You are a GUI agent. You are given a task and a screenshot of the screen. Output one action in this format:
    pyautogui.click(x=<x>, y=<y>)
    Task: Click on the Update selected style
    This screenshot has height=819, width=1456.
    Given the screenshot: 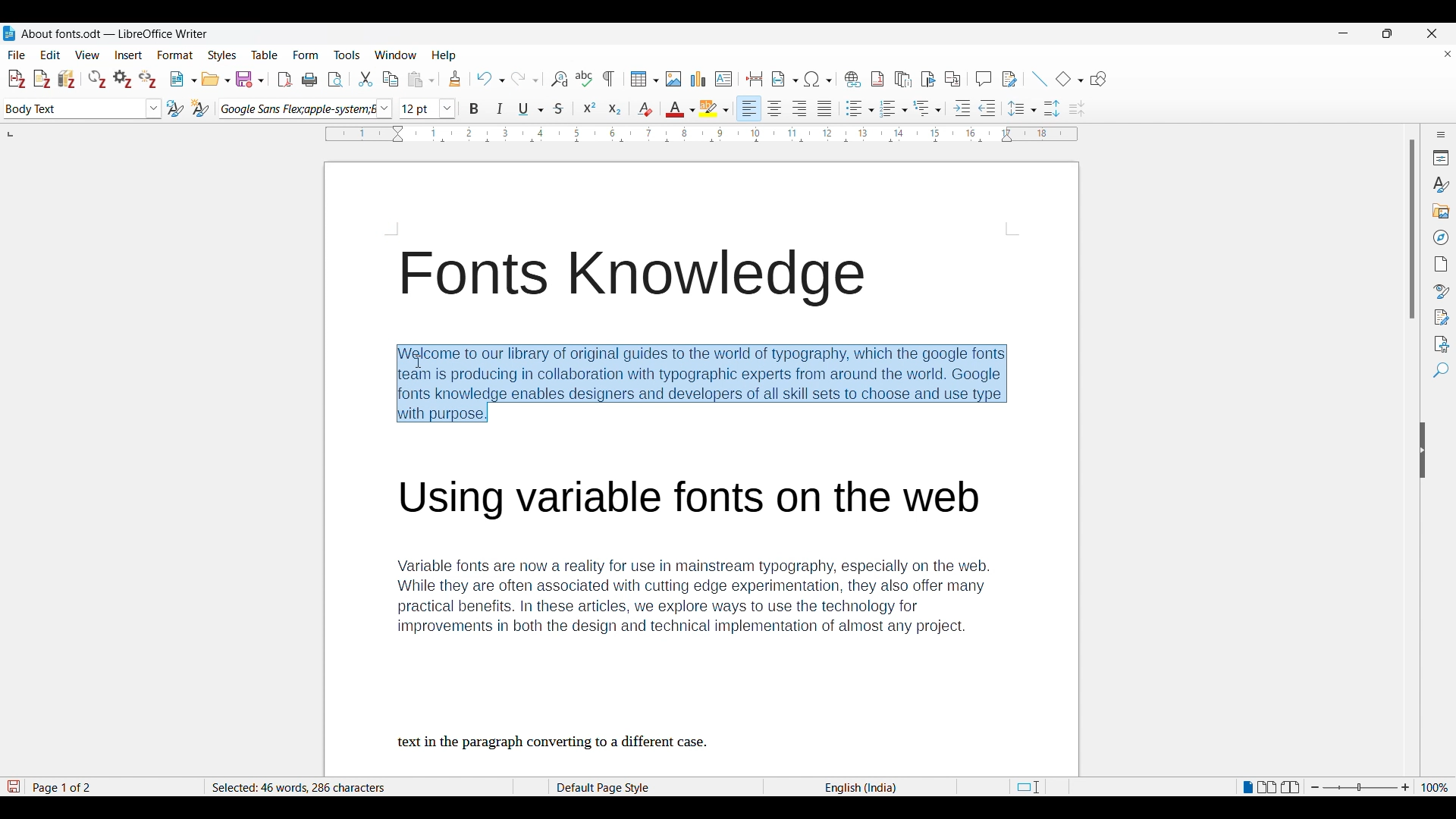 What is the action you would take?
    pyautogui.click(x=175, y=108)
    